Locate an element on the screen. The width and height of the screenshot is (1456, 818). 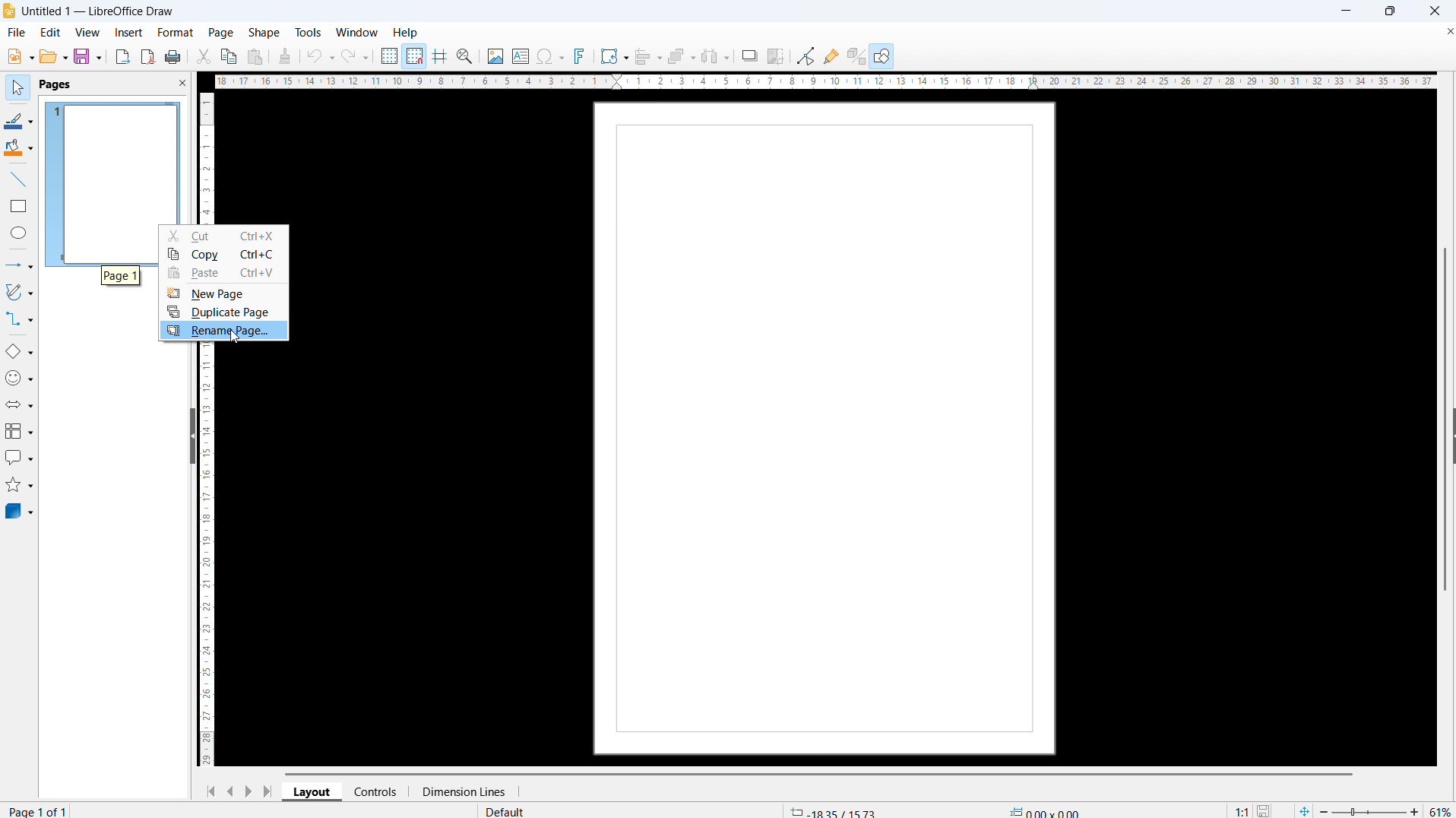
close pane is located at coordinates (182, 82).